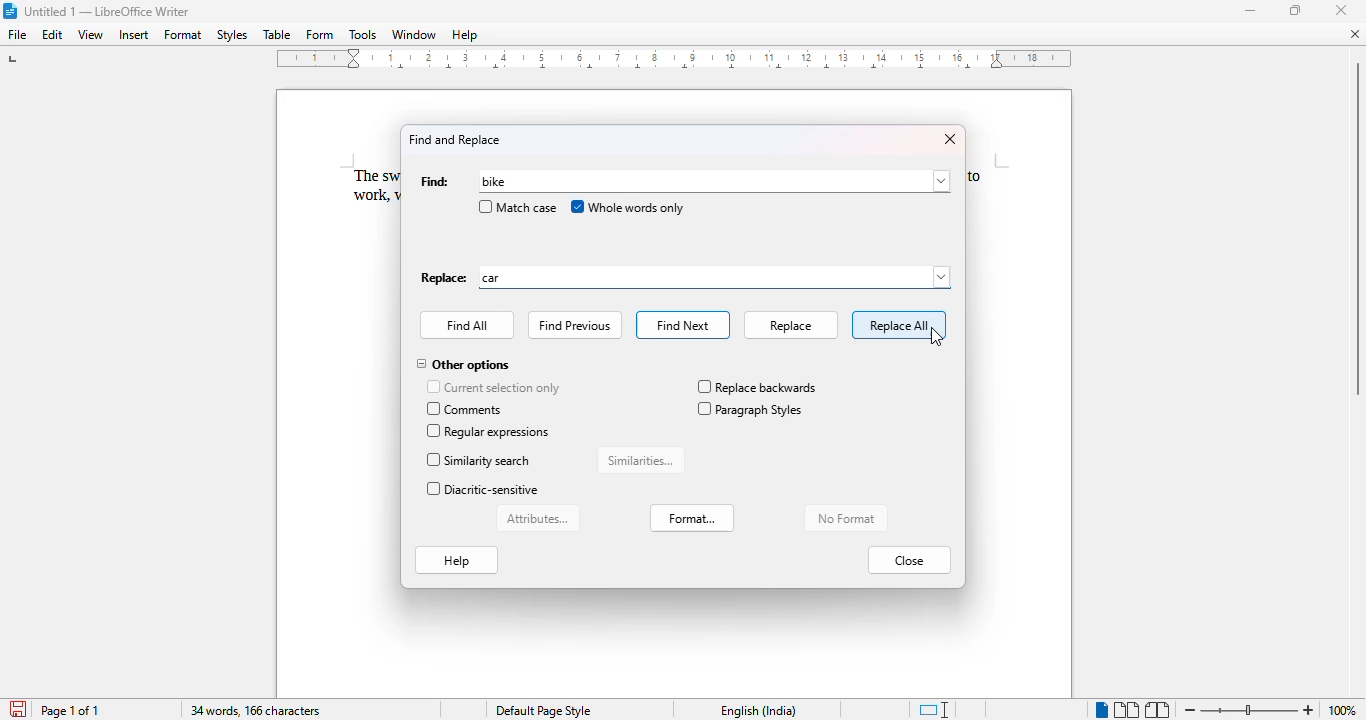 The height and width of the screenshot is (720, 1366). What do you see at coordinates (1127, 710) in the screenshot?
I see `multi-page view` at bounding box center [1127, 710].